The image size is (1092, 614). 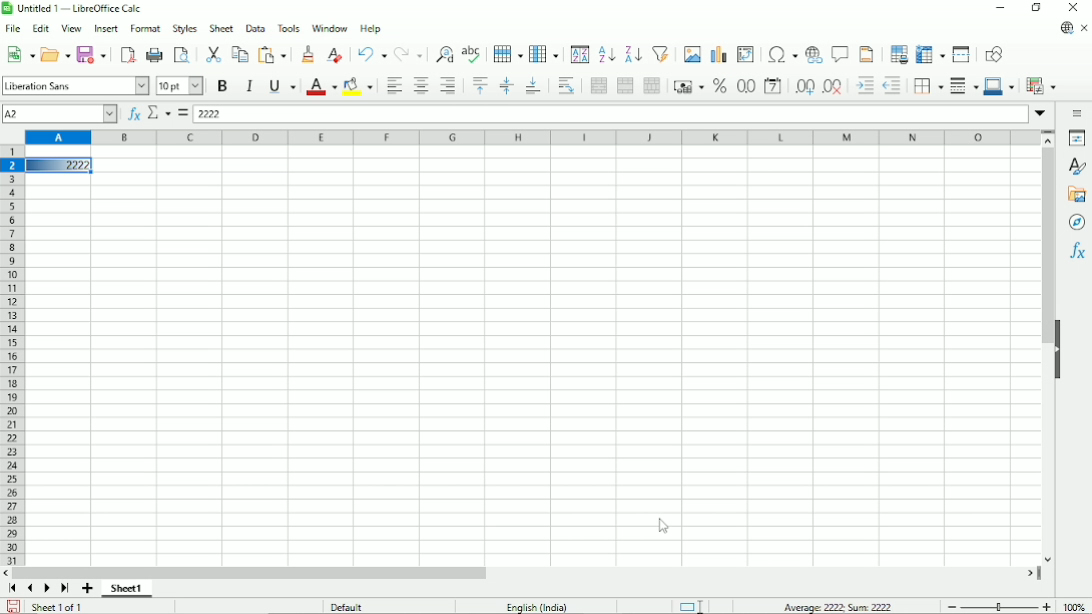 I want to click on Sheet 1 of 1, so click(x=58, y=606).